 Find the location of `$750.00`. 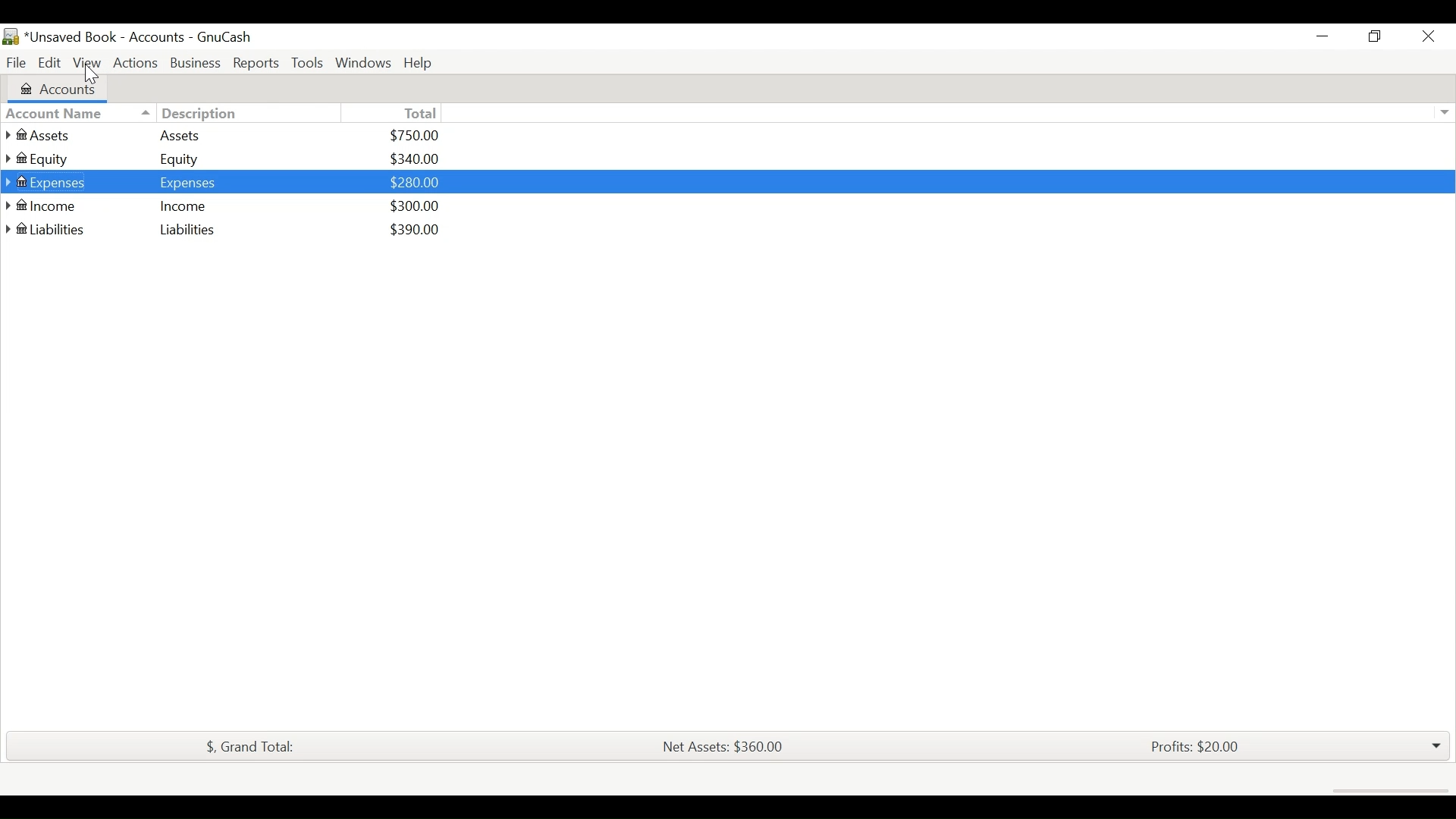

$750.00 is located at coordinates (416, 135).